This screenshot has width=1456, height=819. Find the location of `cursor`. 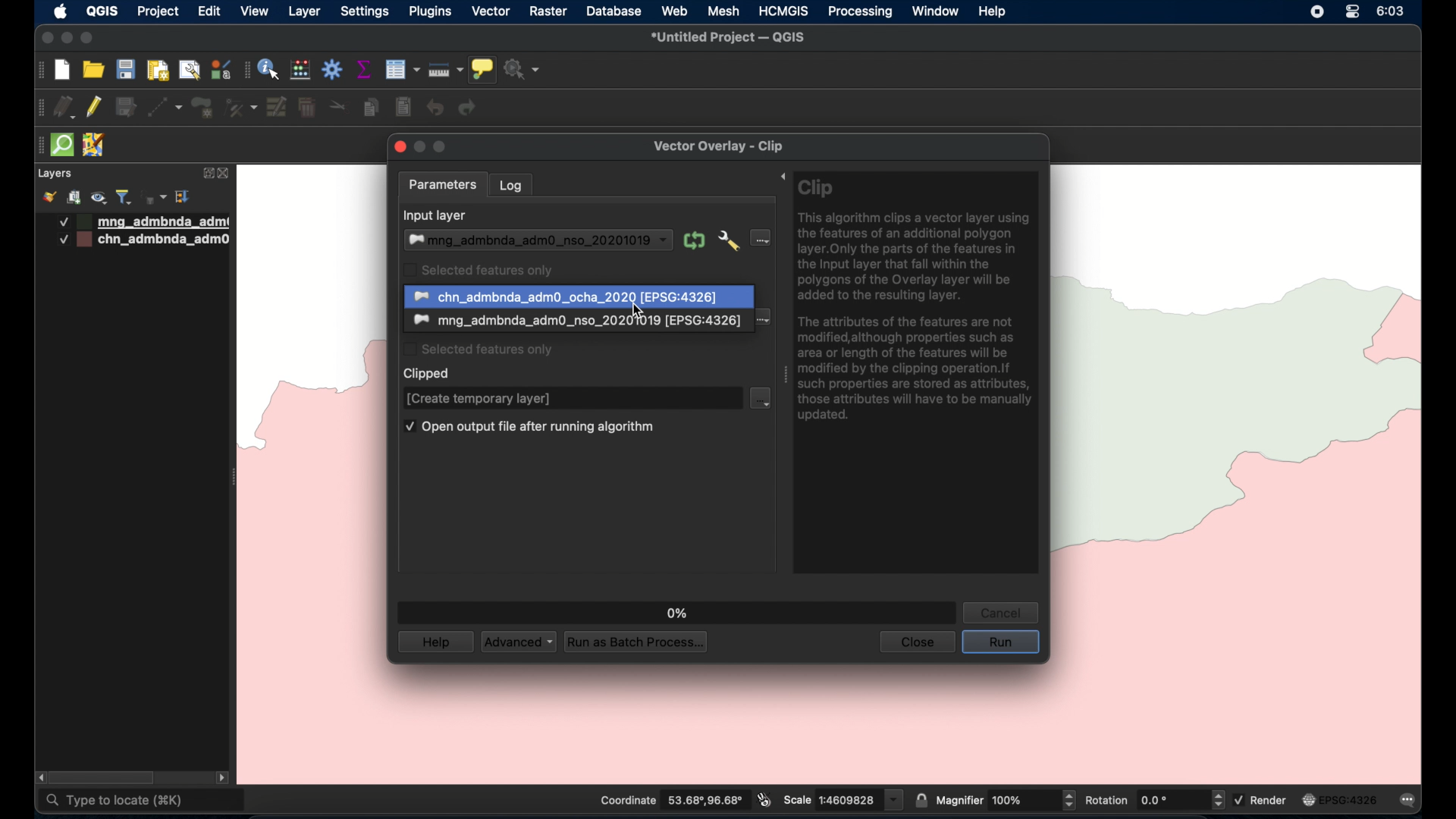

cursor is located at coordinates (641, 310).